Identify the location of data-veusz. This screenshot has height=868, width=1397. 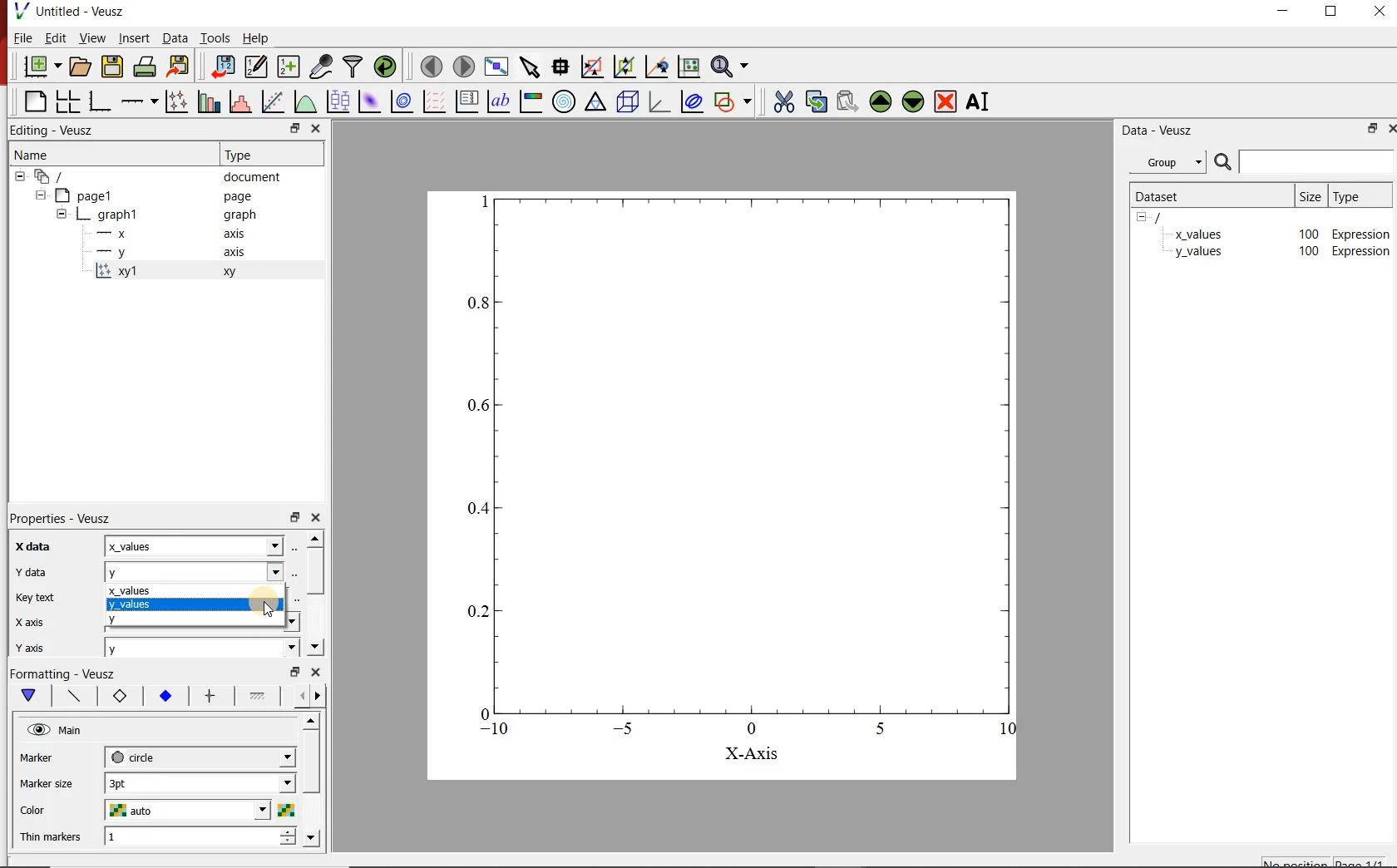
(1158, 132).